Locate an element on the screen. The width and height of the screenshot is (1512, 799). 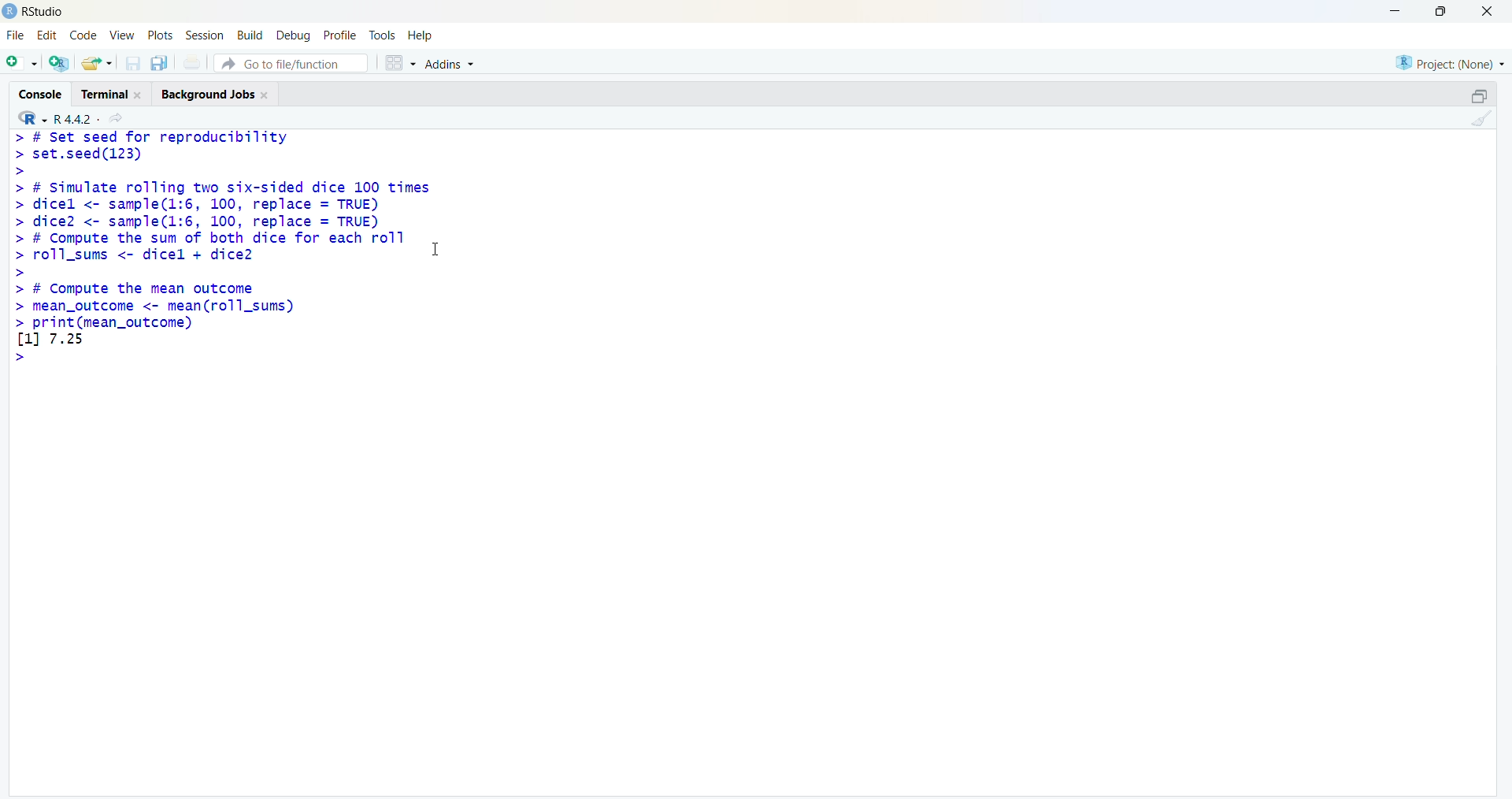
Background jobs is located at coordinates (207, 96).